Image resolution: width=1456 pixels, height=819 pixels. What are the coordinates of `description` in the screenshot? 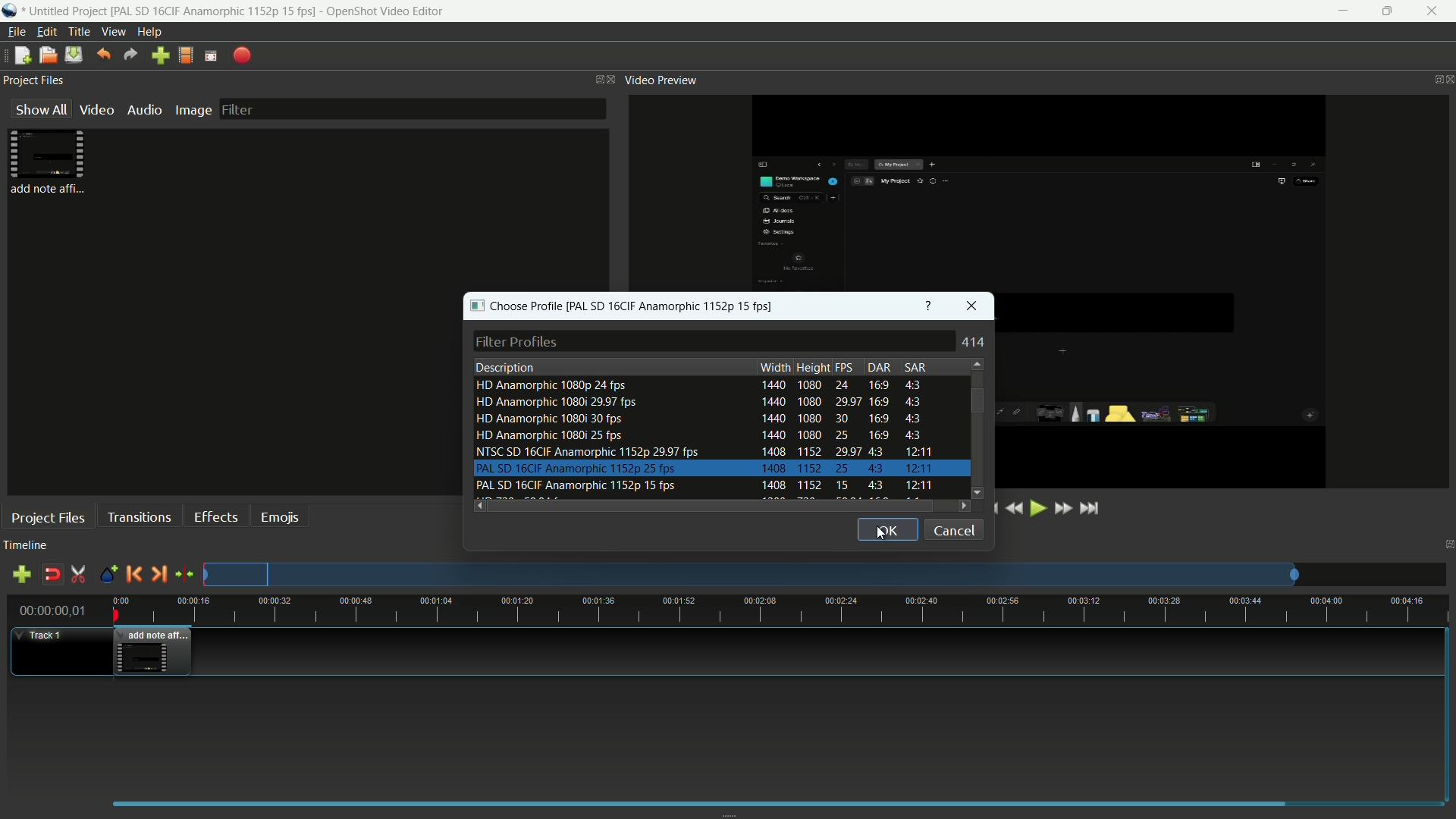 It's located at (506, 366).